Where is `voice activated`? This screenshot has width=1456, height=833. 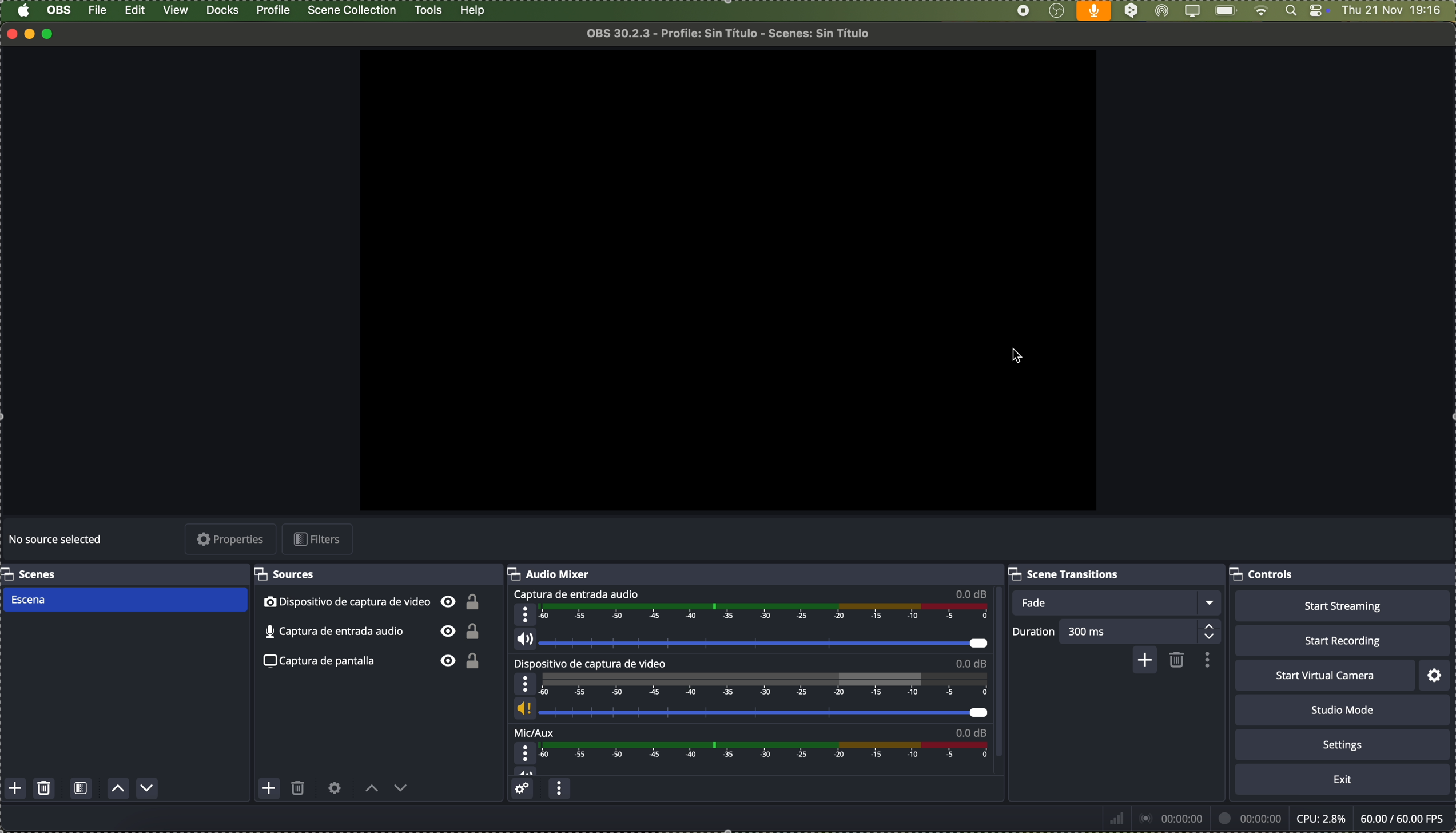
voice activated is located at coordinates (1094, 11).